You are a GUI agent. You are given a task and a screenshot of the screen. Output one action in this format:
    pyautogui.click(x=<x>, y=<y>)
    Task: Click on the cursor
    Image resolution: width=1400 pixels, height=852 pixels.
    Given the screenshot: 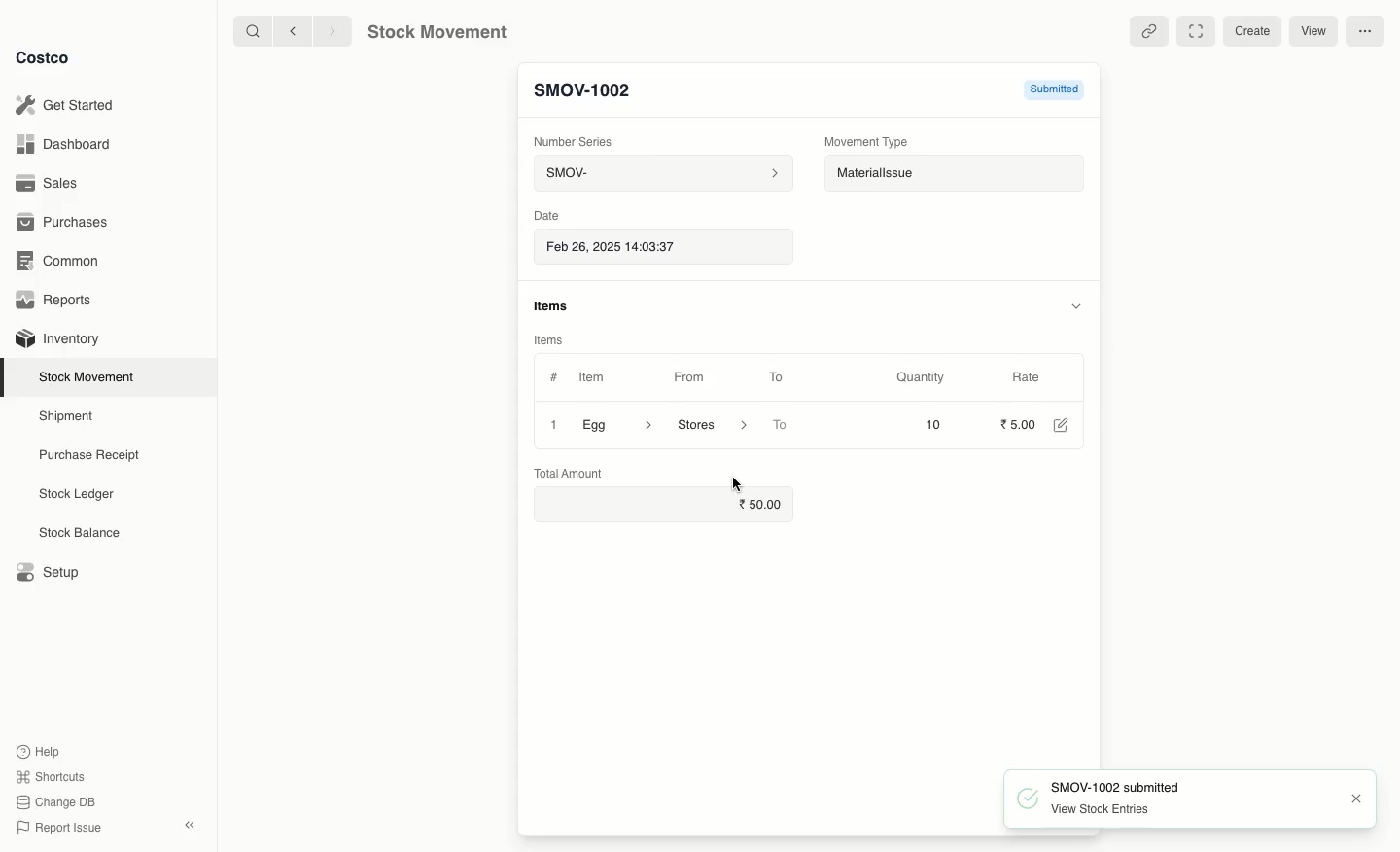 What is the action you would take?
    pyautogui.click(x=738, y=481)
    